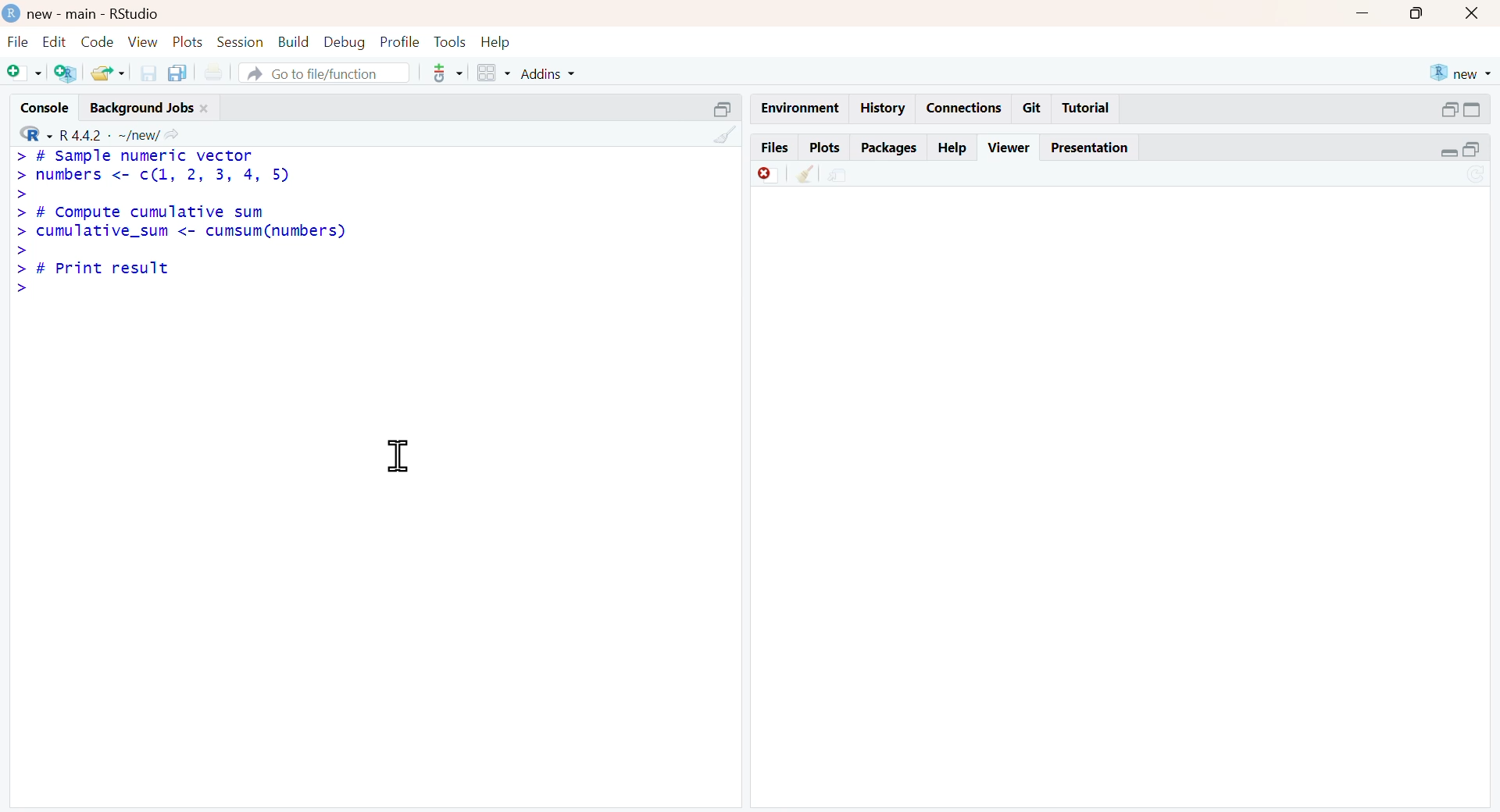 This screenshot has width=1500, height=812. I want to click on environment, so click(838, 177).